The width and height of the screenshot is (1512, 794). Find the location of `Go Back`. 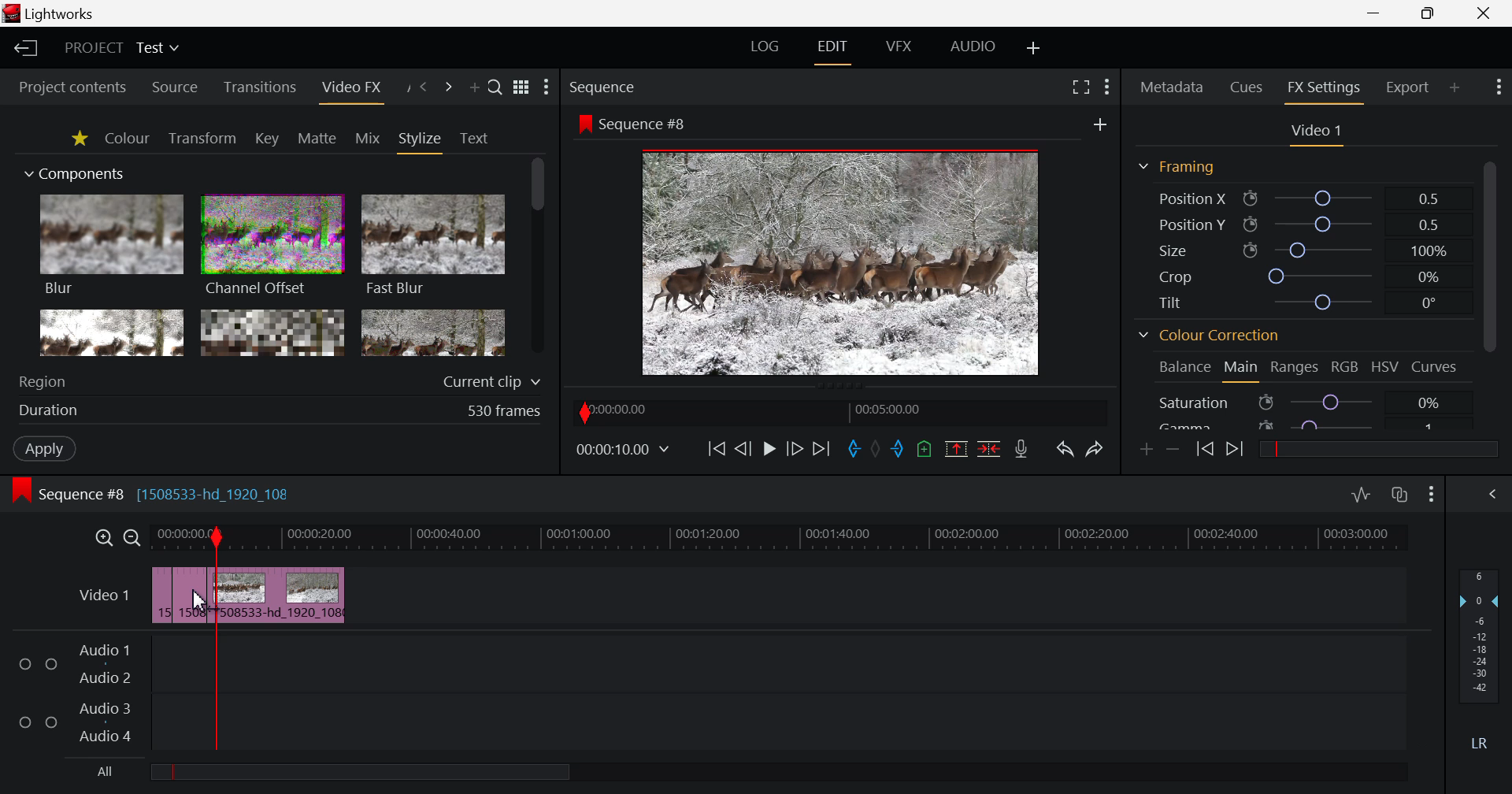

Go Back is located at coordinates (742, 447).